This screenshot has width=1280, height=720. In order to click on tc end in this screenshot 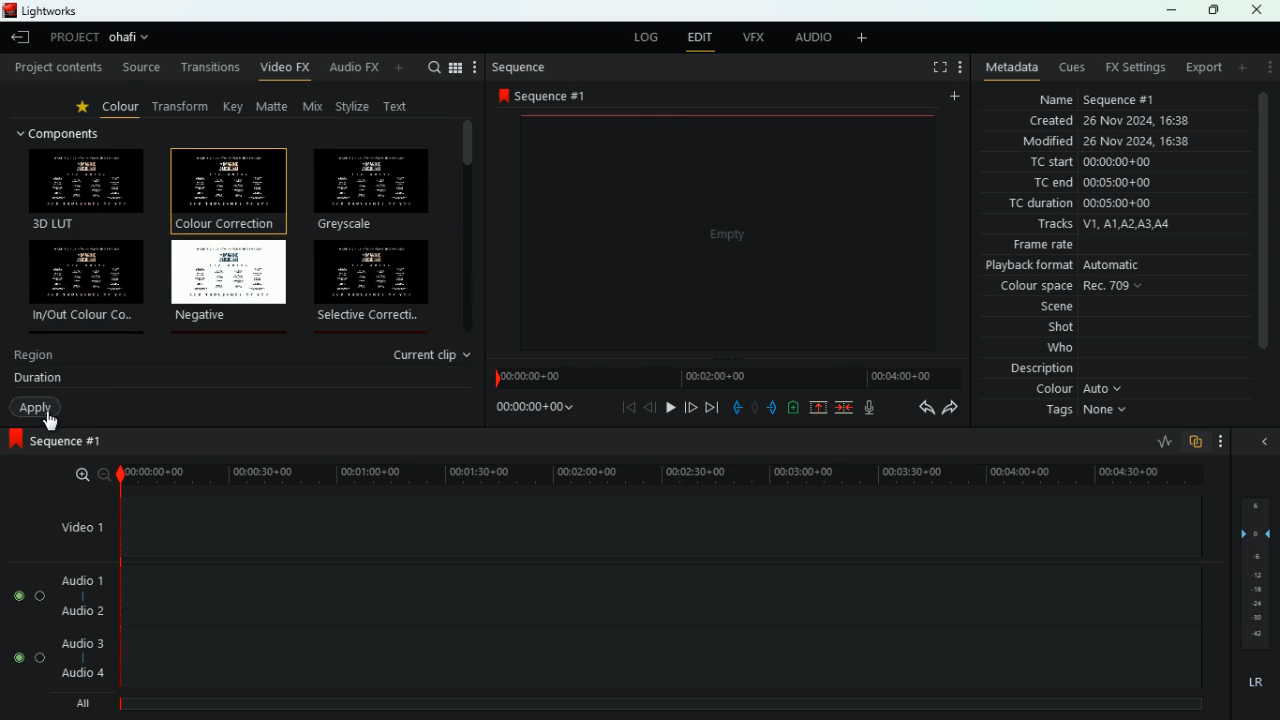, I will do `click(1119, 184)`.